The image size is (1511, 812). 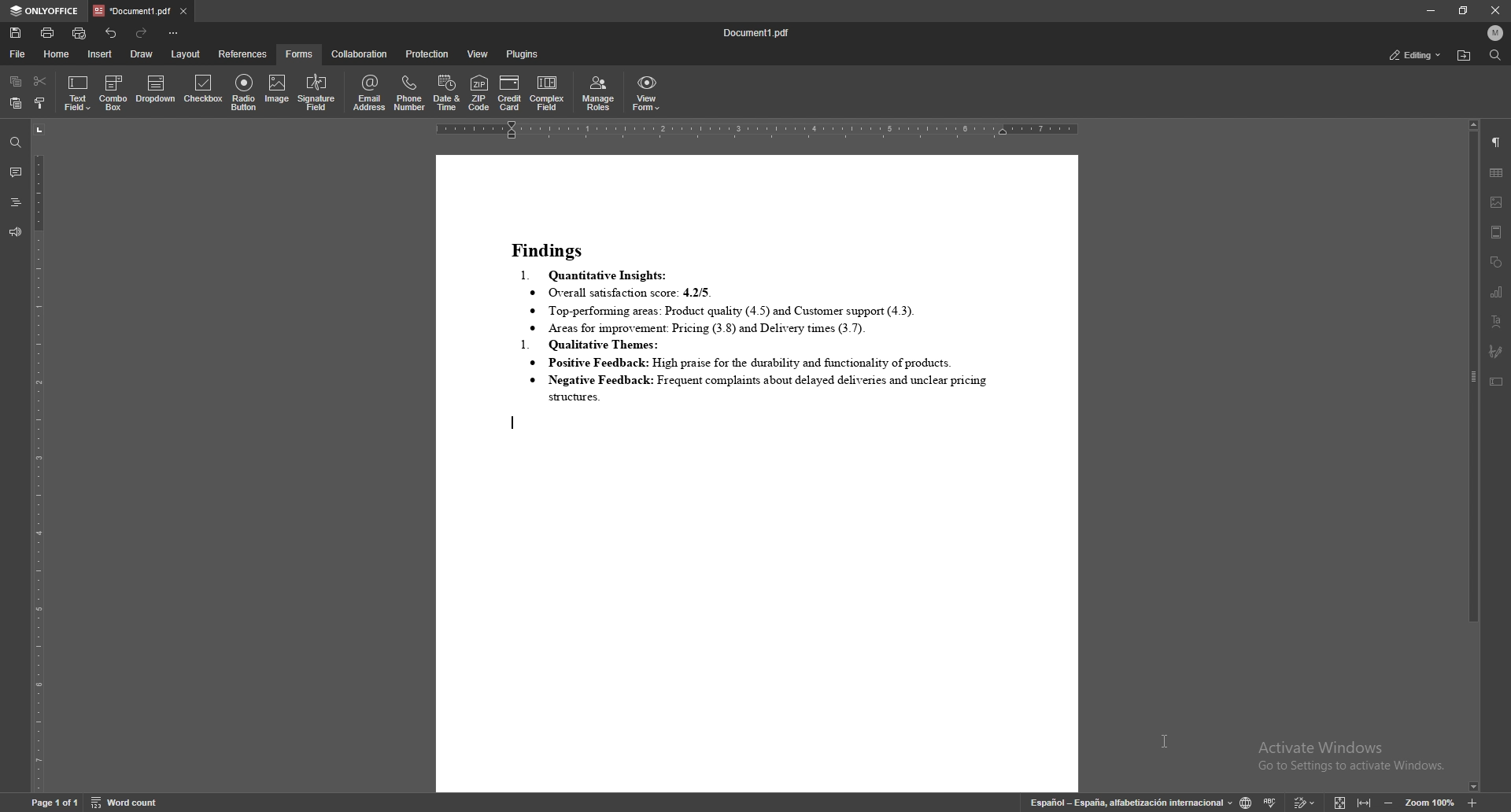 I want to click on header and footer, so click(x=1497, y=232).